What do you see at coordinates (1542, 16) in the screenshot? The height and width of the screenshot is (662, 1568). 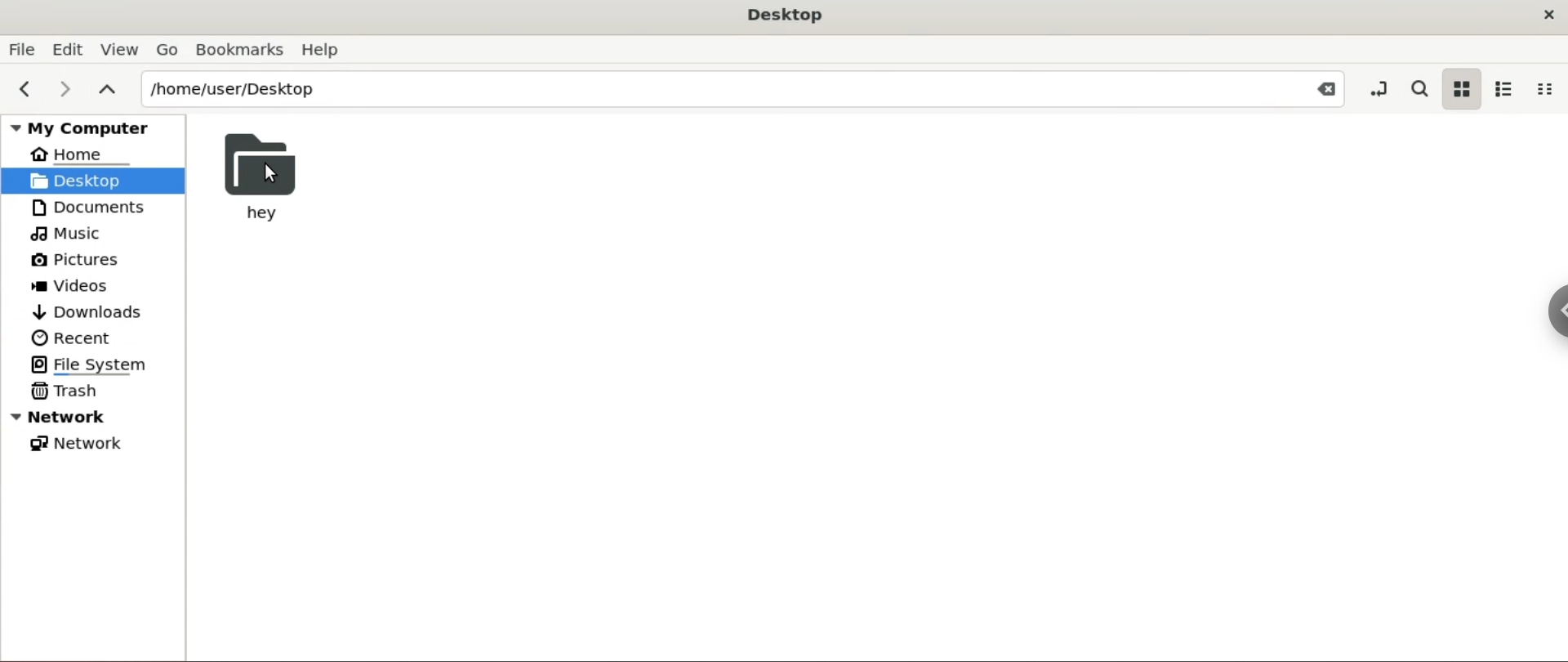 I see `close` at bounding box center [1542, 16].